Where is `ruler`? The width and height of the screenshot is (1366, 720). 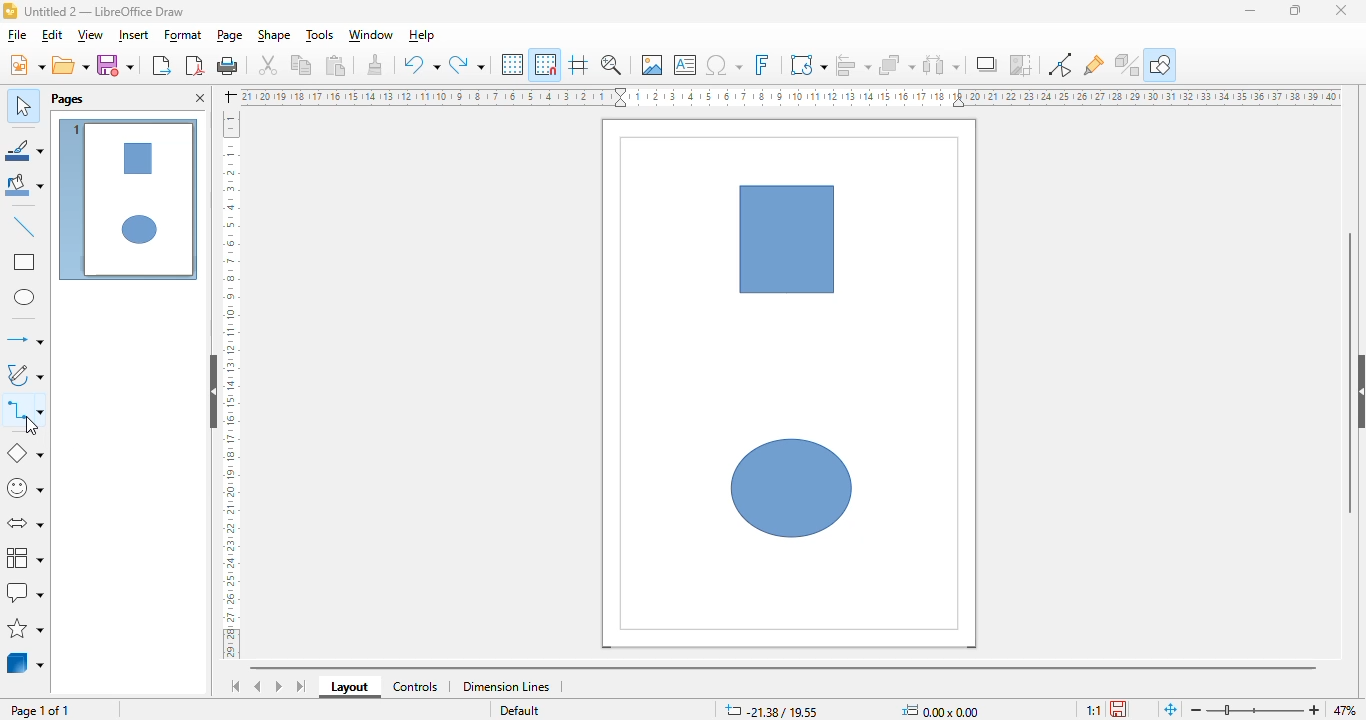 ruler is located at coordinates (791, 96).